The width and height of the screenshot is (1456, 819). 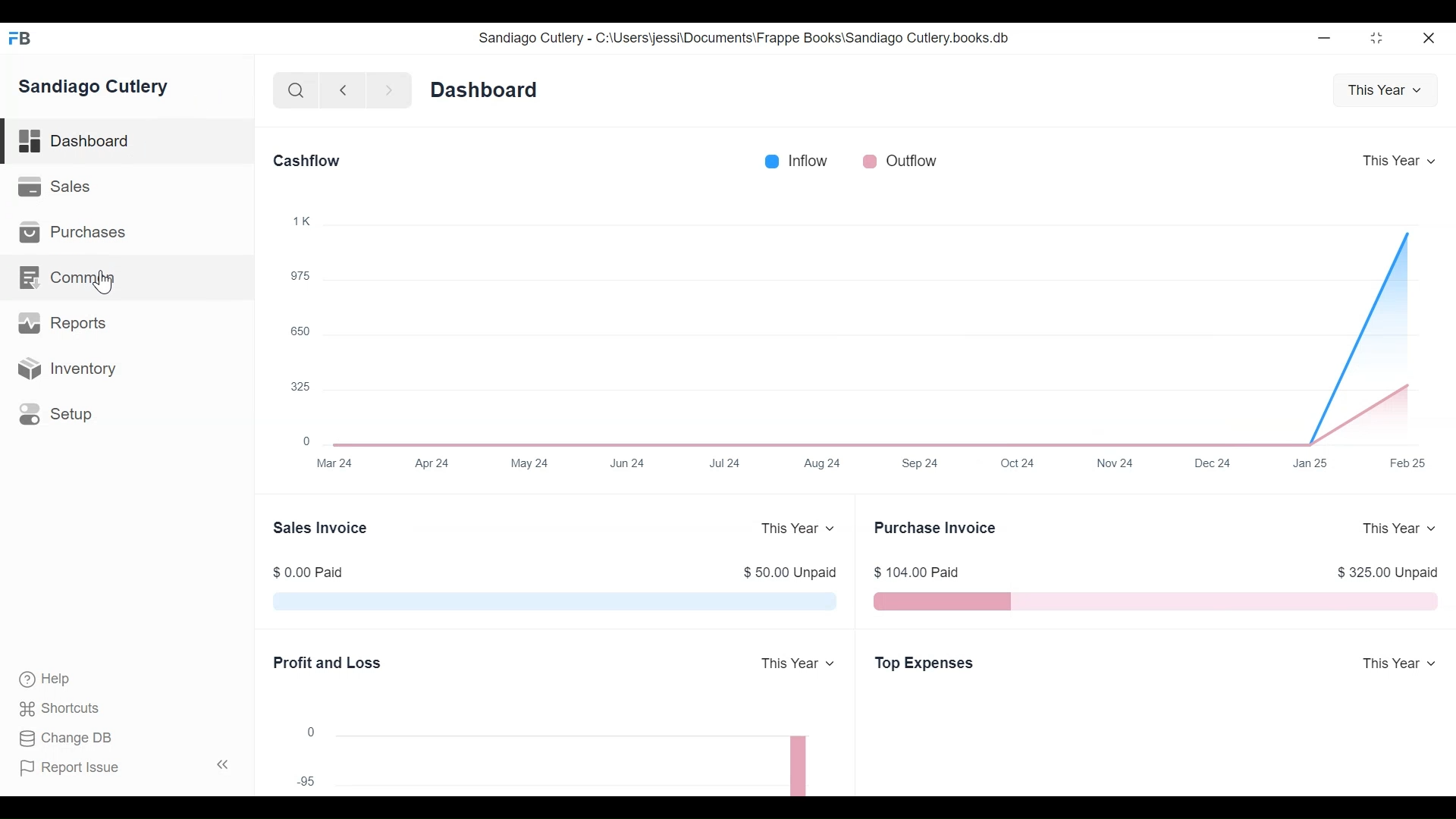 What do you see at coordinates (1211, 463) in the screenshot?
I see `Dec 24` at bounding box center [1211, 463].